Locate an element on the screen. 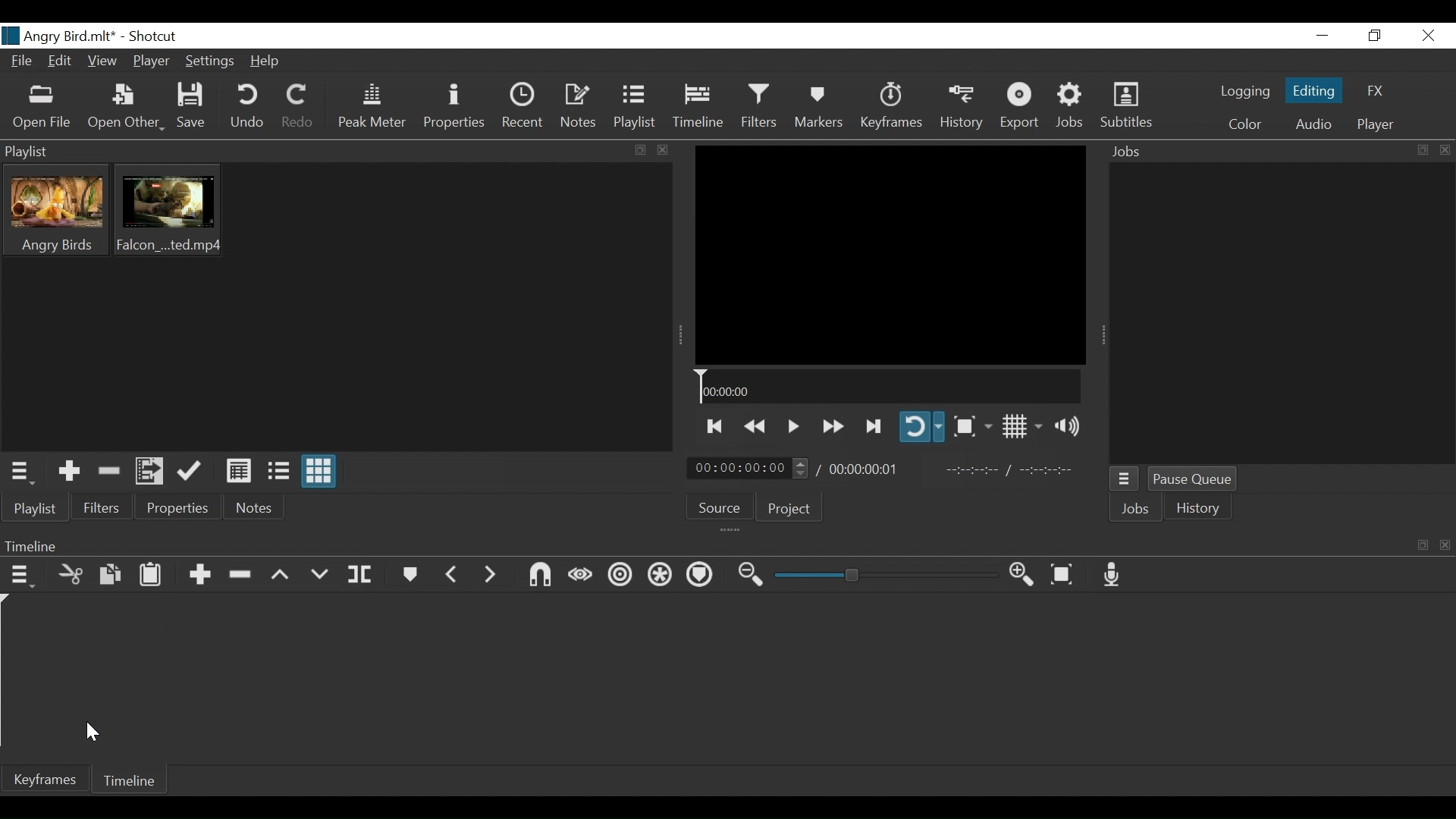 This screenshot has width=1456, height=819. Cursor is located at coordinates (93, 733).